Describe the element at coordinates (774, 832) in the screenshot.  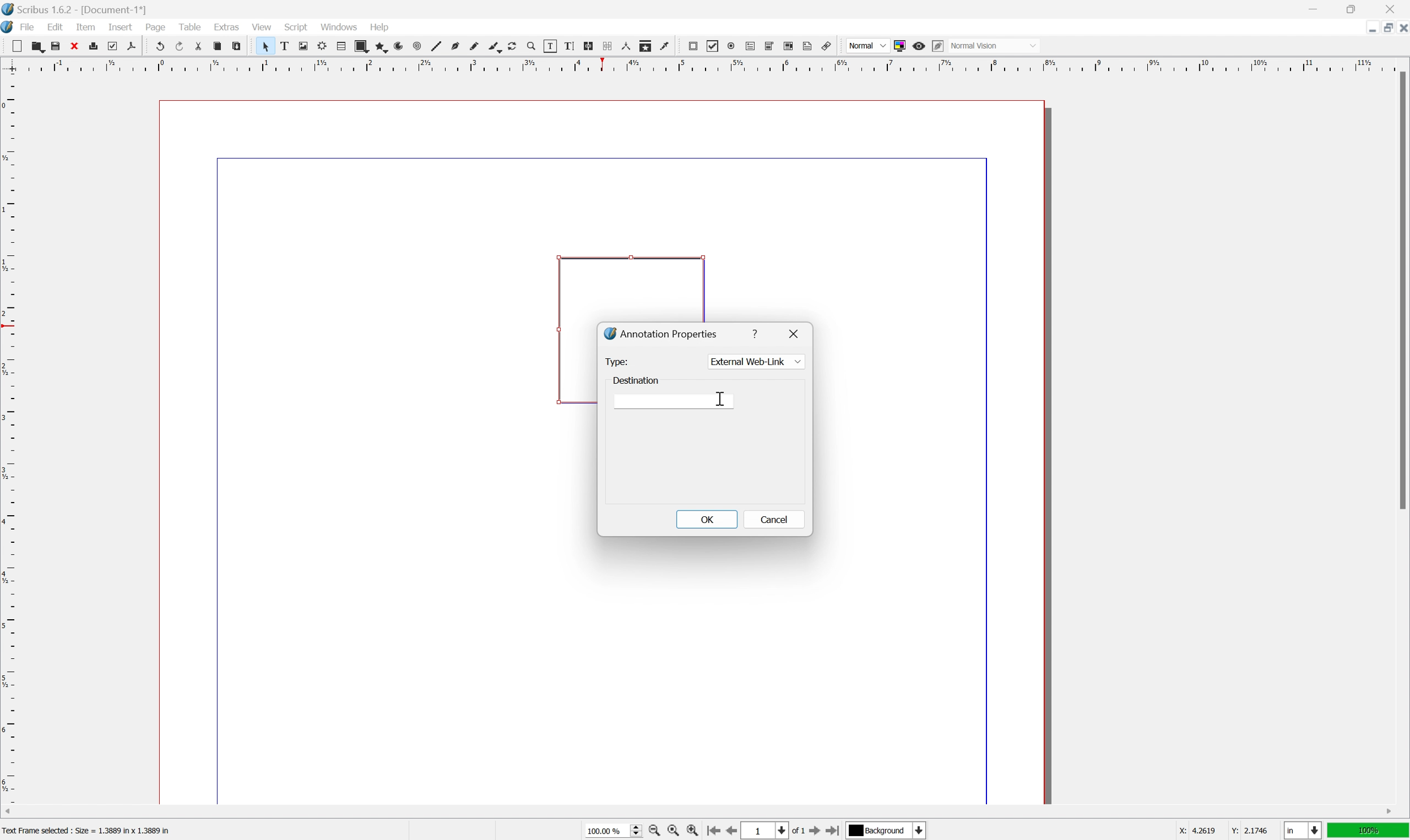
I see `select current page` at that location.